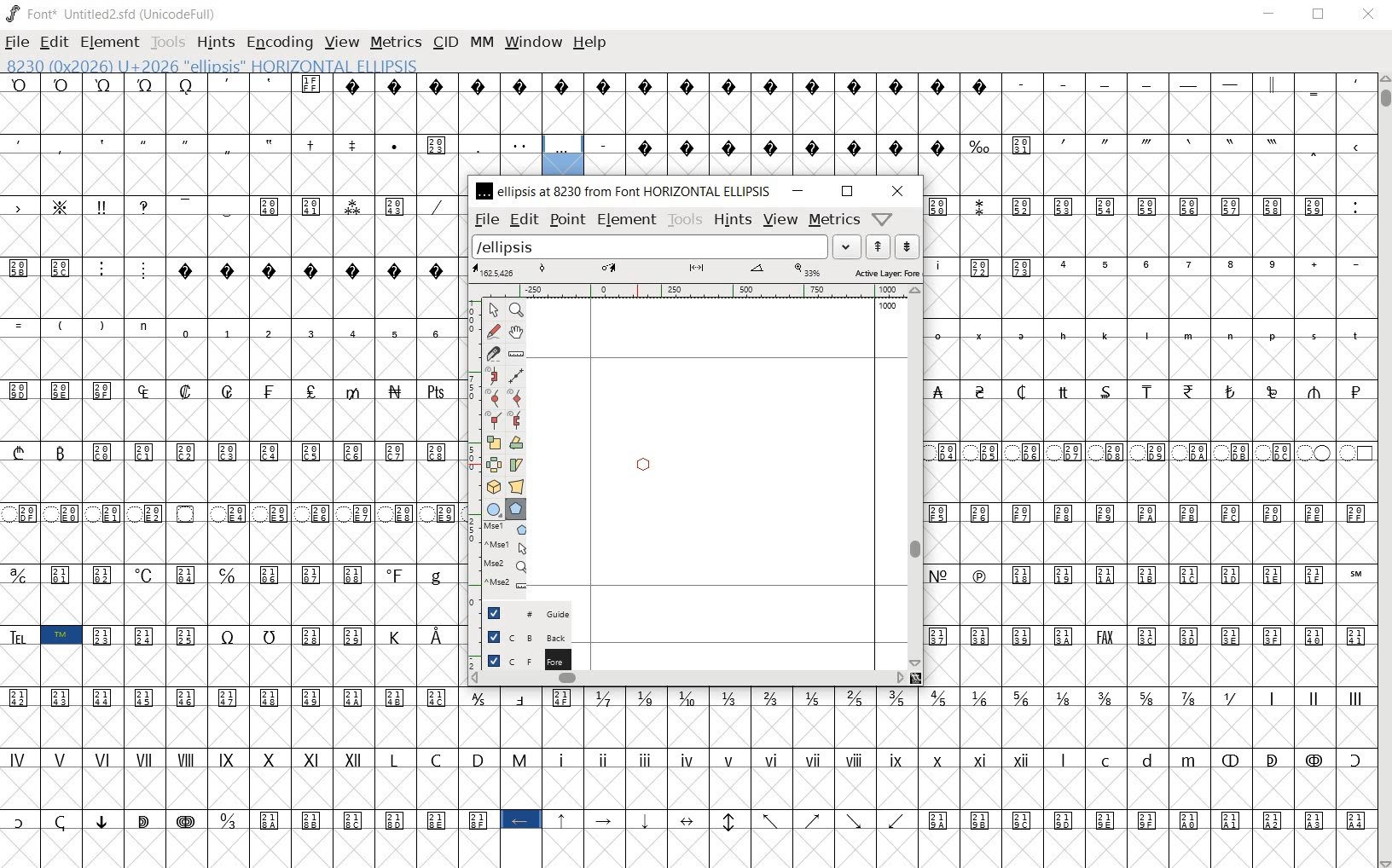 The height and width of the screenshot is (868, 1392). I want to click on FONT*UNTITLED2.SFD (UNICODEFULL), so click(114, 12).